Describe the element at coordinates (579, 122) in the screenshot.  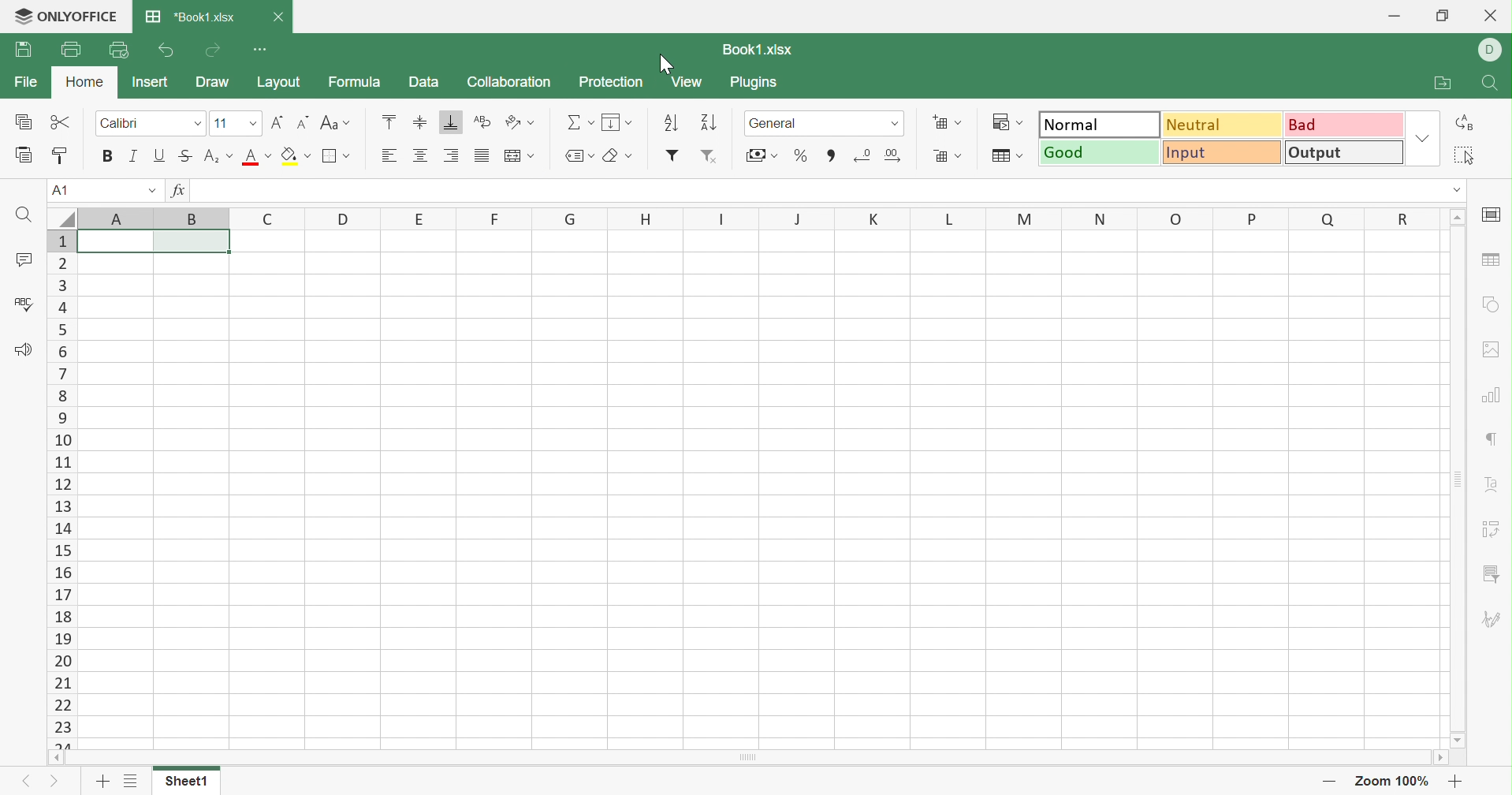
I see `Summation` at that location.